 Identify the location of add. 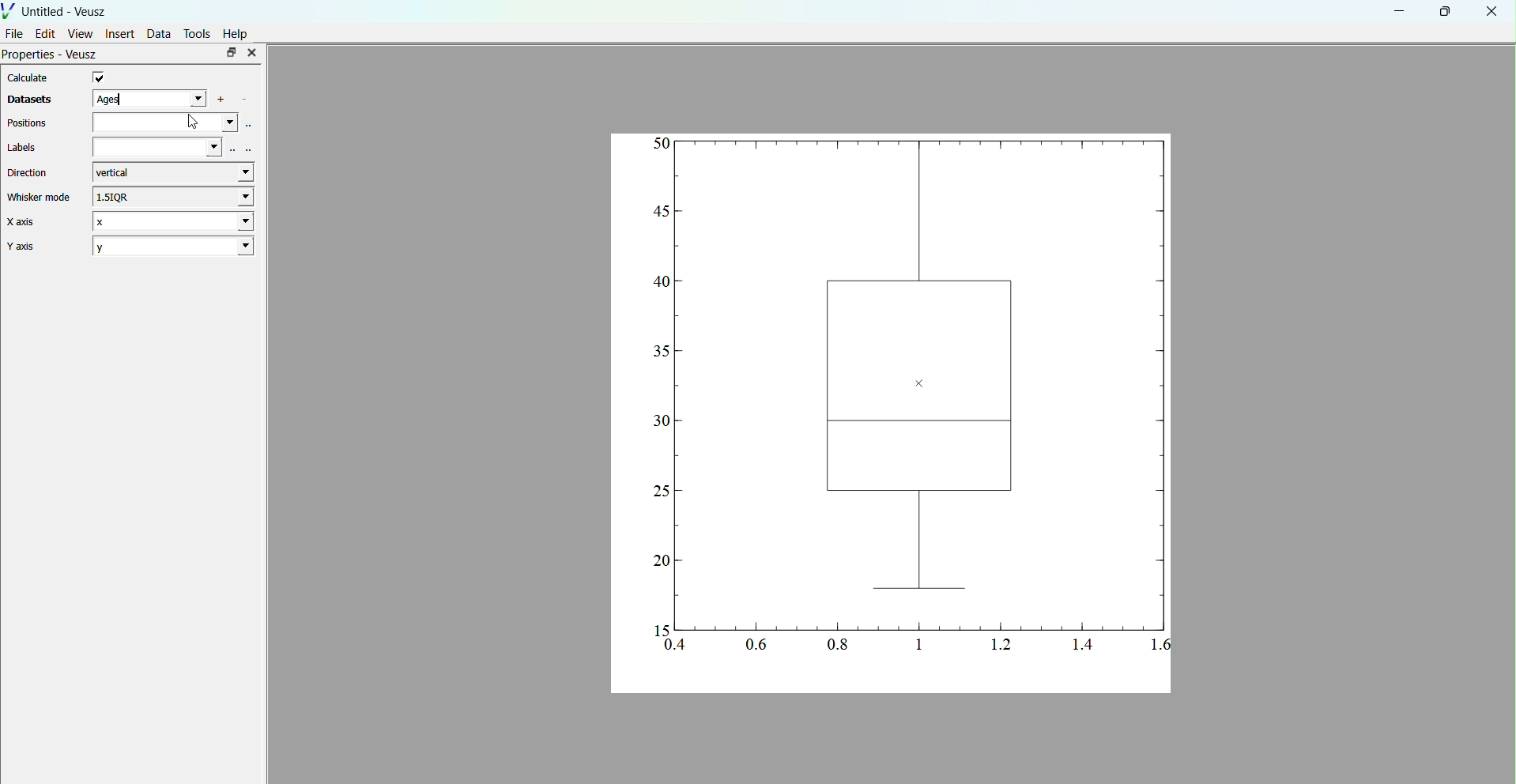
(224, 99).